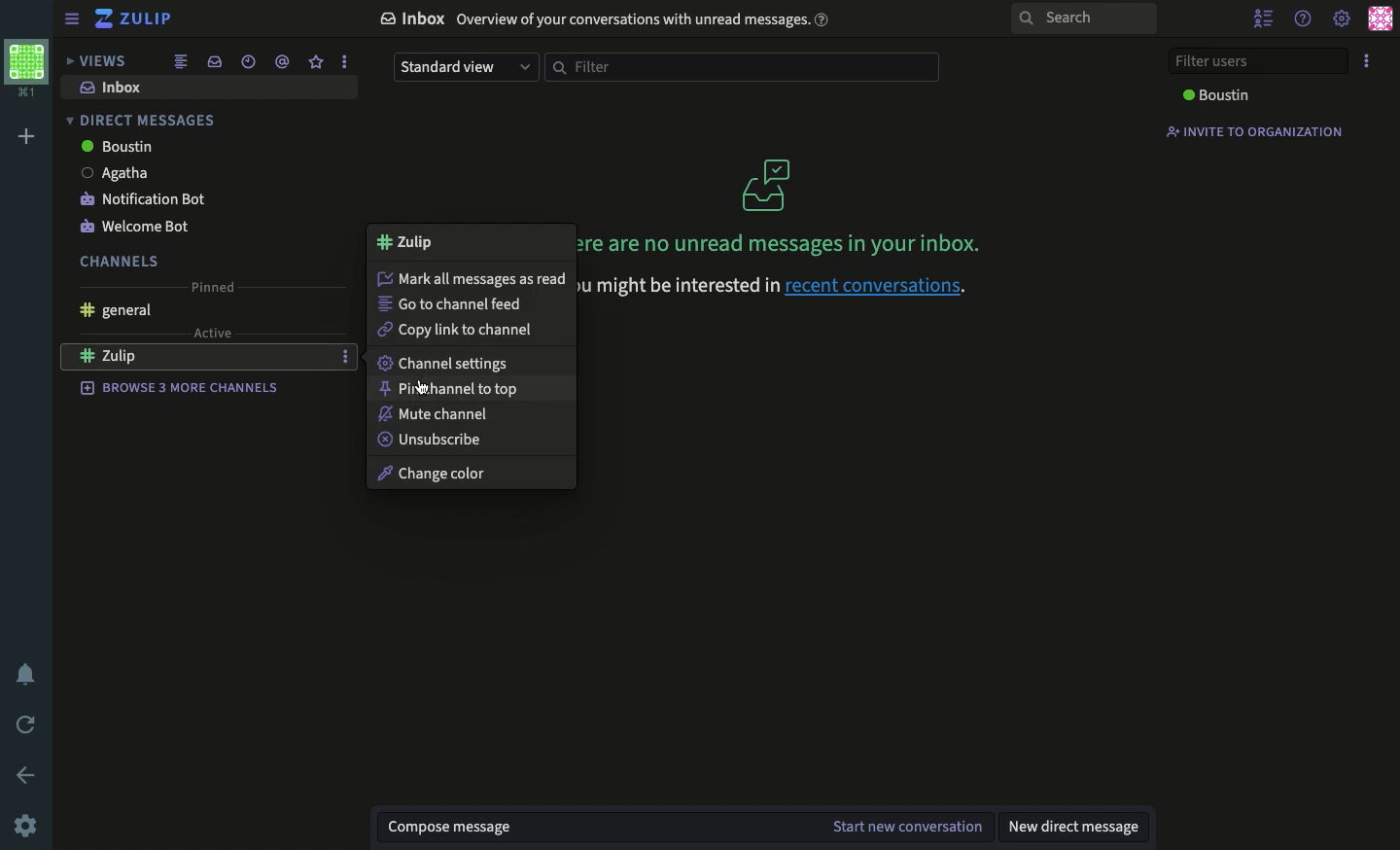 Image resolution: width=1400 pixels, height=850 pixels. What do you see at coordinates (214, 287) in the screenshot?
I see `pinned` at bounding box center [214, 287].